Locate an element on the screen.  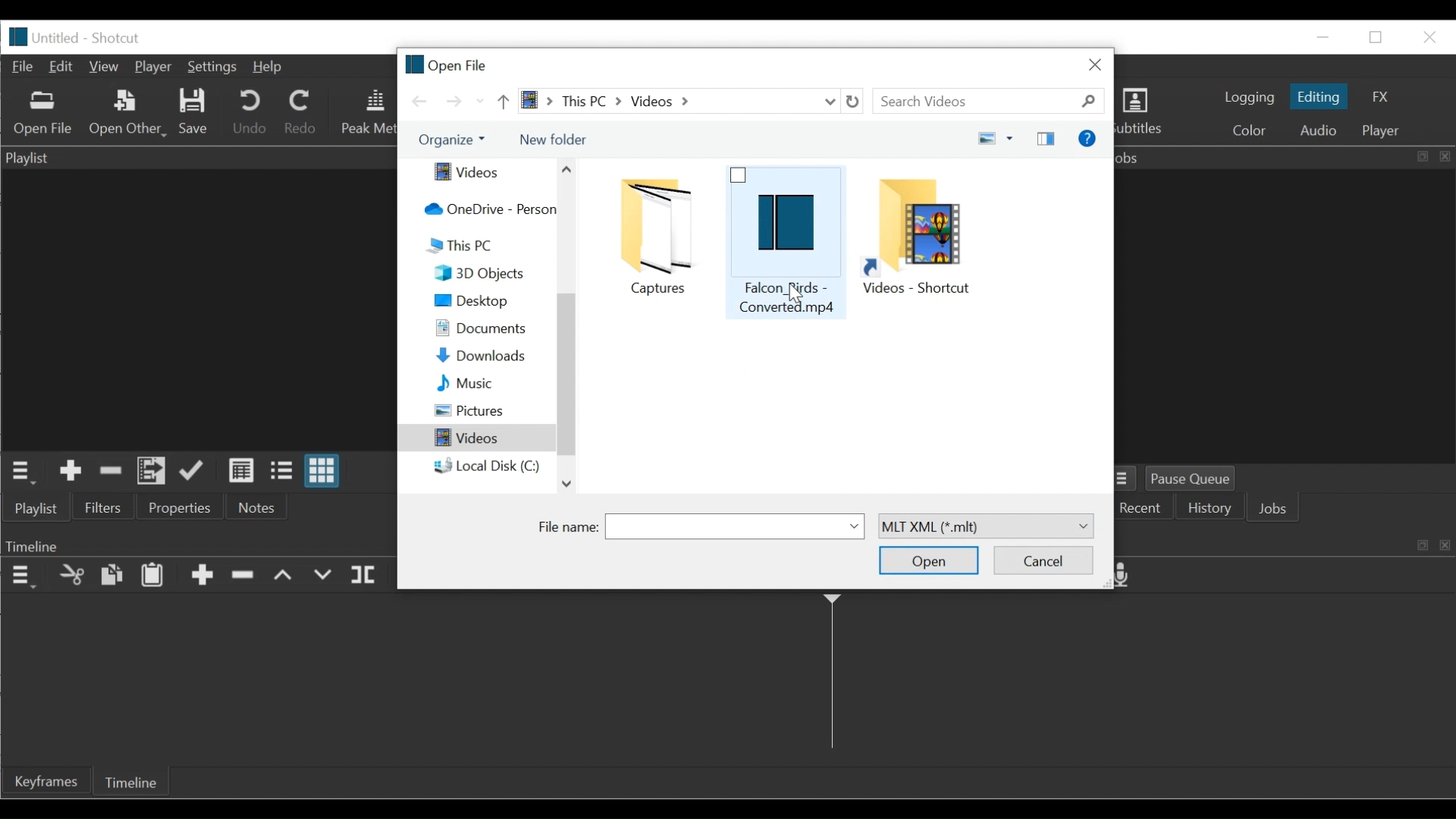
Jobs Menu is located at coordinates (1128, 479).